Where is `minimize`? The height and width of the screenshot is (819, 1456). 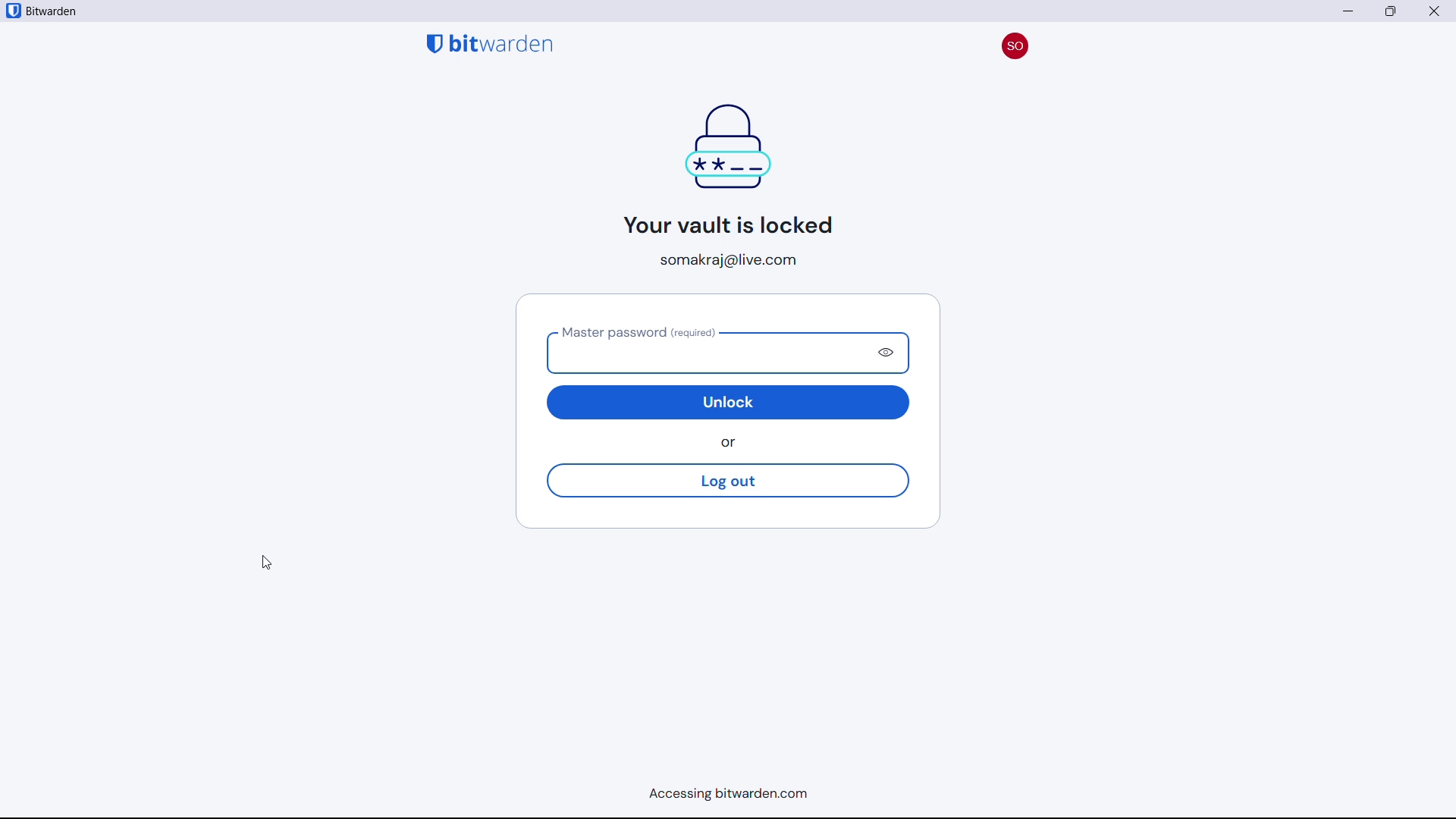
minimize is located at coordinates (1349, 11).